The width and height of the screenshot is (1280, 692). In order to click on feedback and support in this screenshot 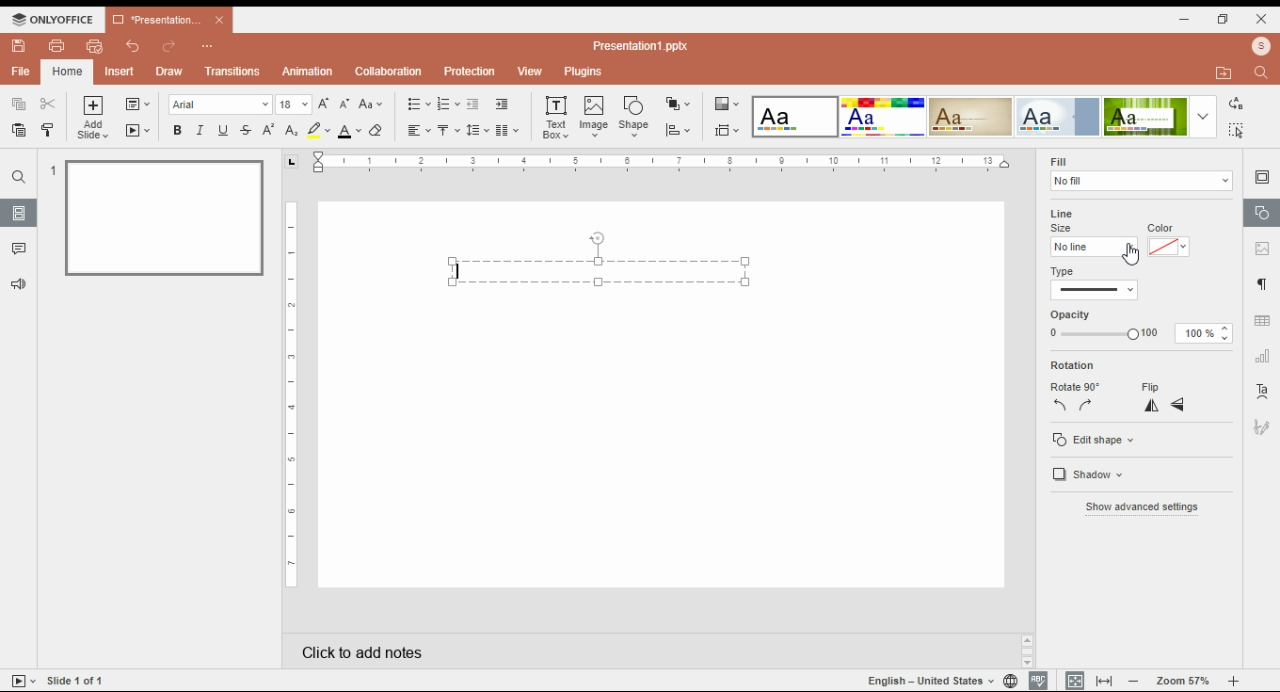, I will do `click(17, 283)`.